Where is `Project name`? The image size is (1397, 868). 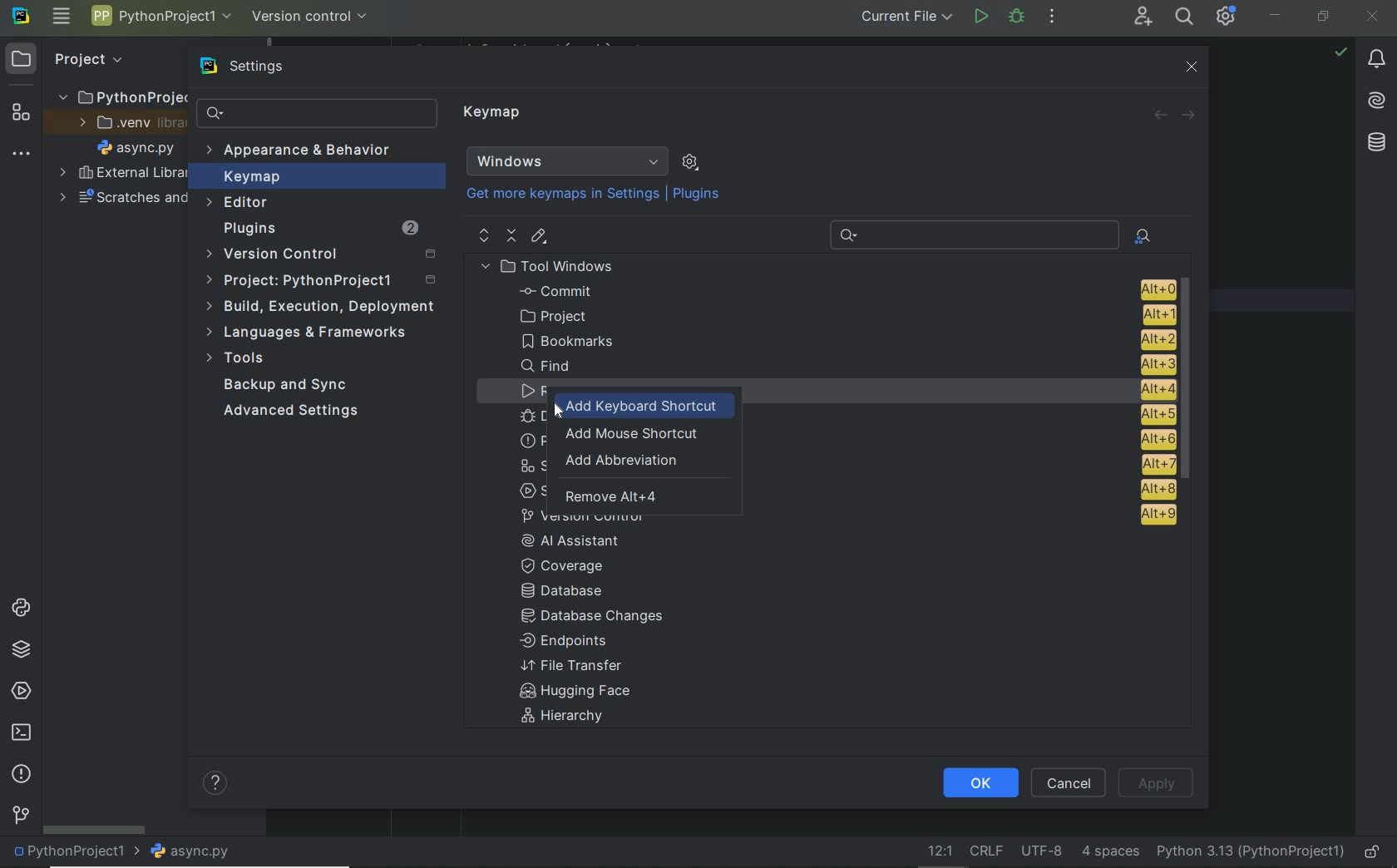
Project name is located at coordinates (161, 19).